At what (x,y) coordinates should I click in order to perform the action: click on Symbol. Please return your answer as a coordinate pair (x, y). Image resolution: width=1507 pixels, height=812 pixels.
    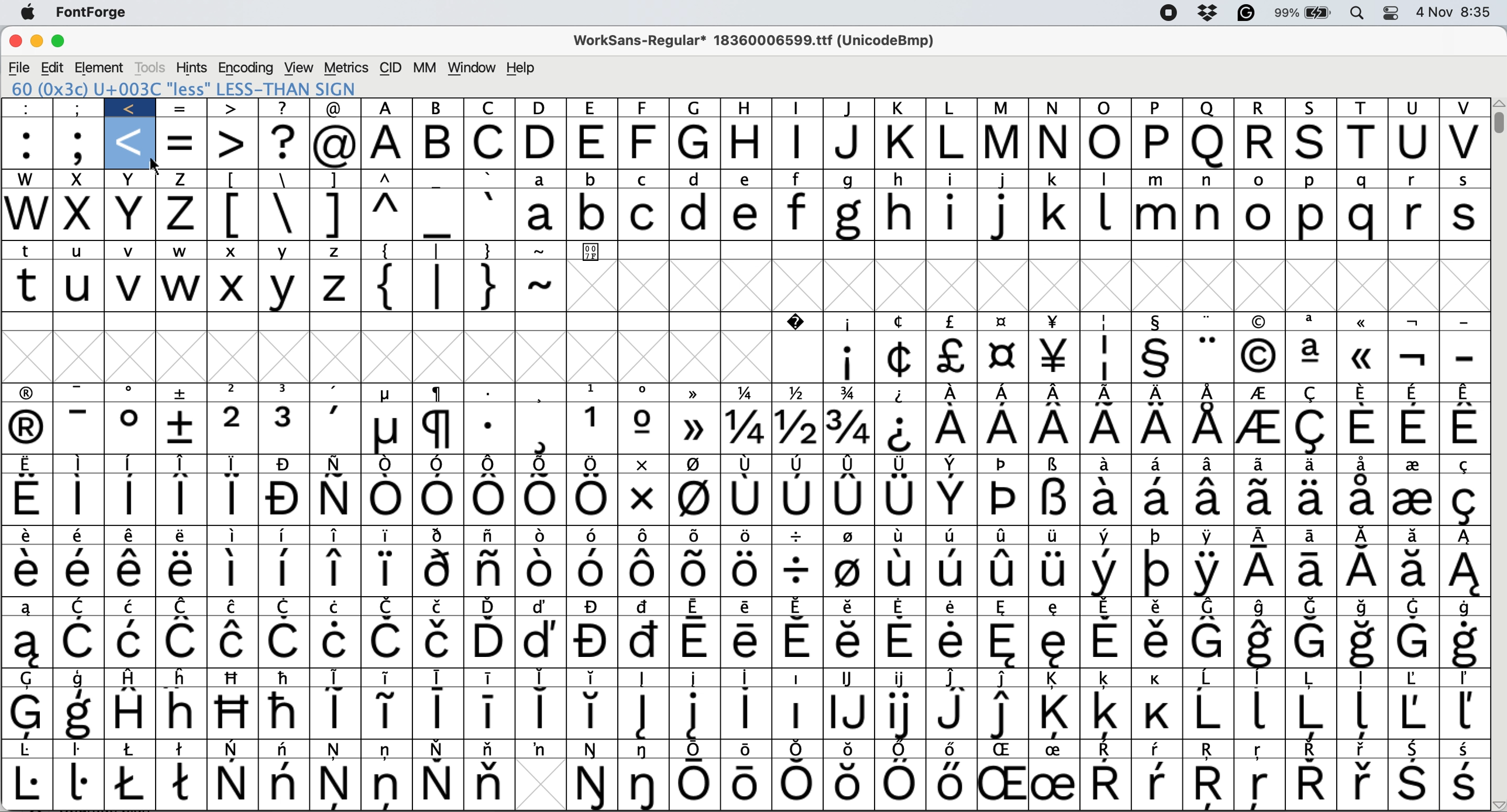
    Looking at the image, I should click on (29, 713).